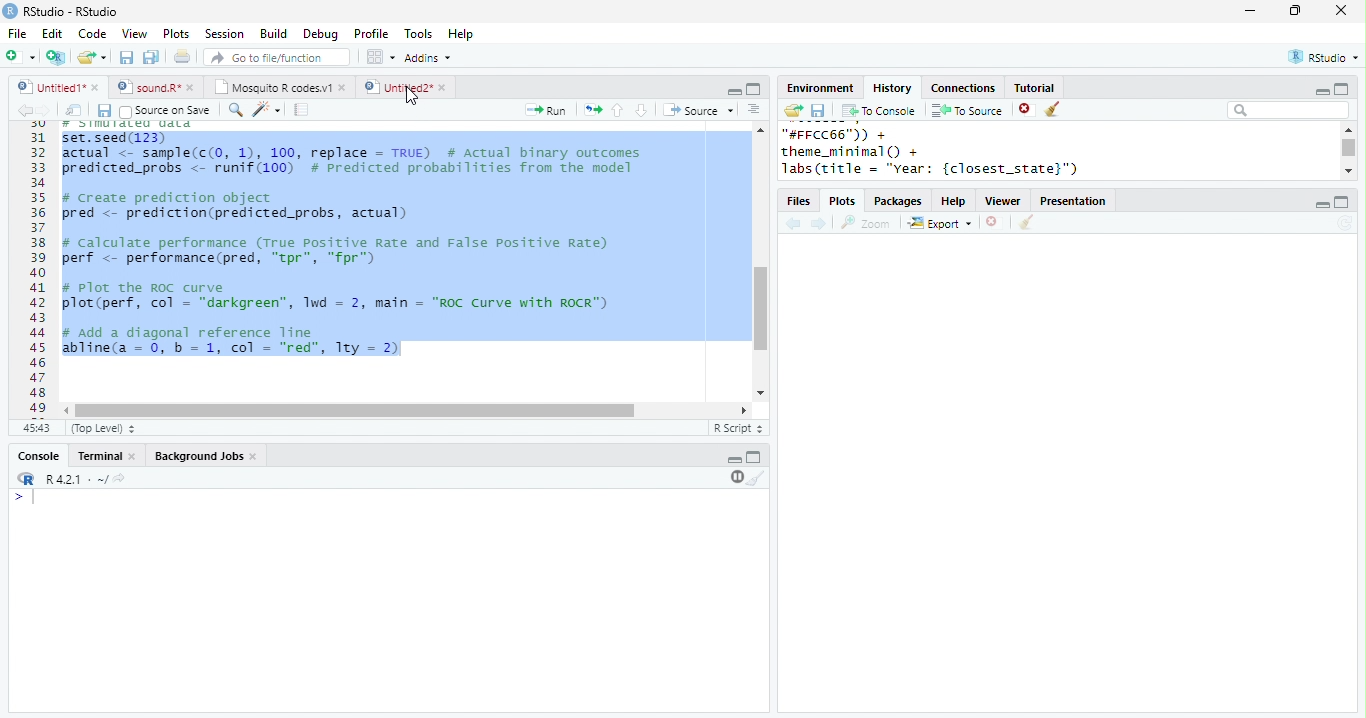 Image resolution: width=1366 pixels, height=718 pixels. What do you see at coordinates (1345, 223) in the screenshot?
I see `refresh` at bounding box center [1345, 223].